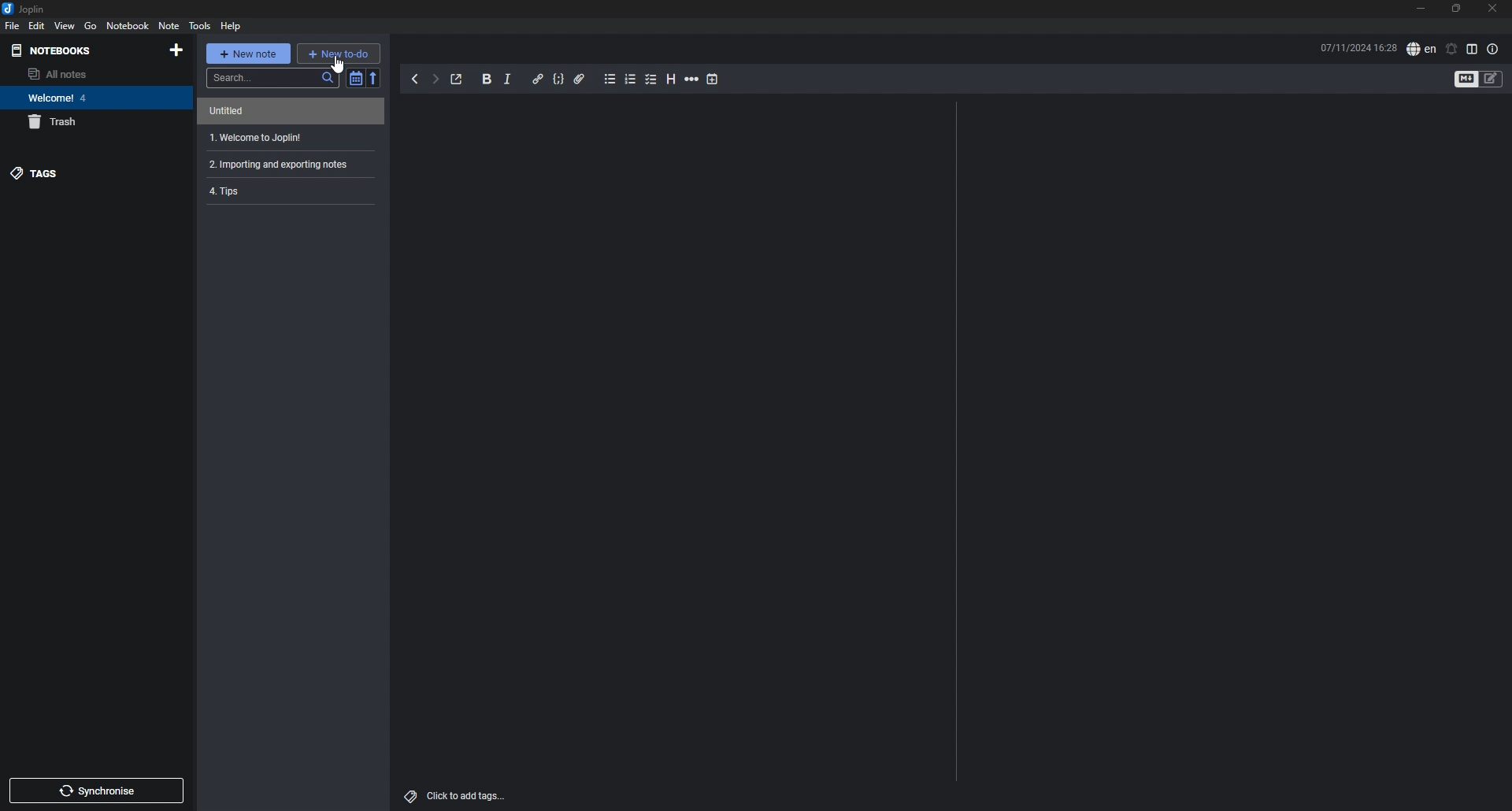 The height and width of the screenshot is (811, 1512). Describe the element at coordinates (461, 794) in the screenshot. I see `add tags` at that location.